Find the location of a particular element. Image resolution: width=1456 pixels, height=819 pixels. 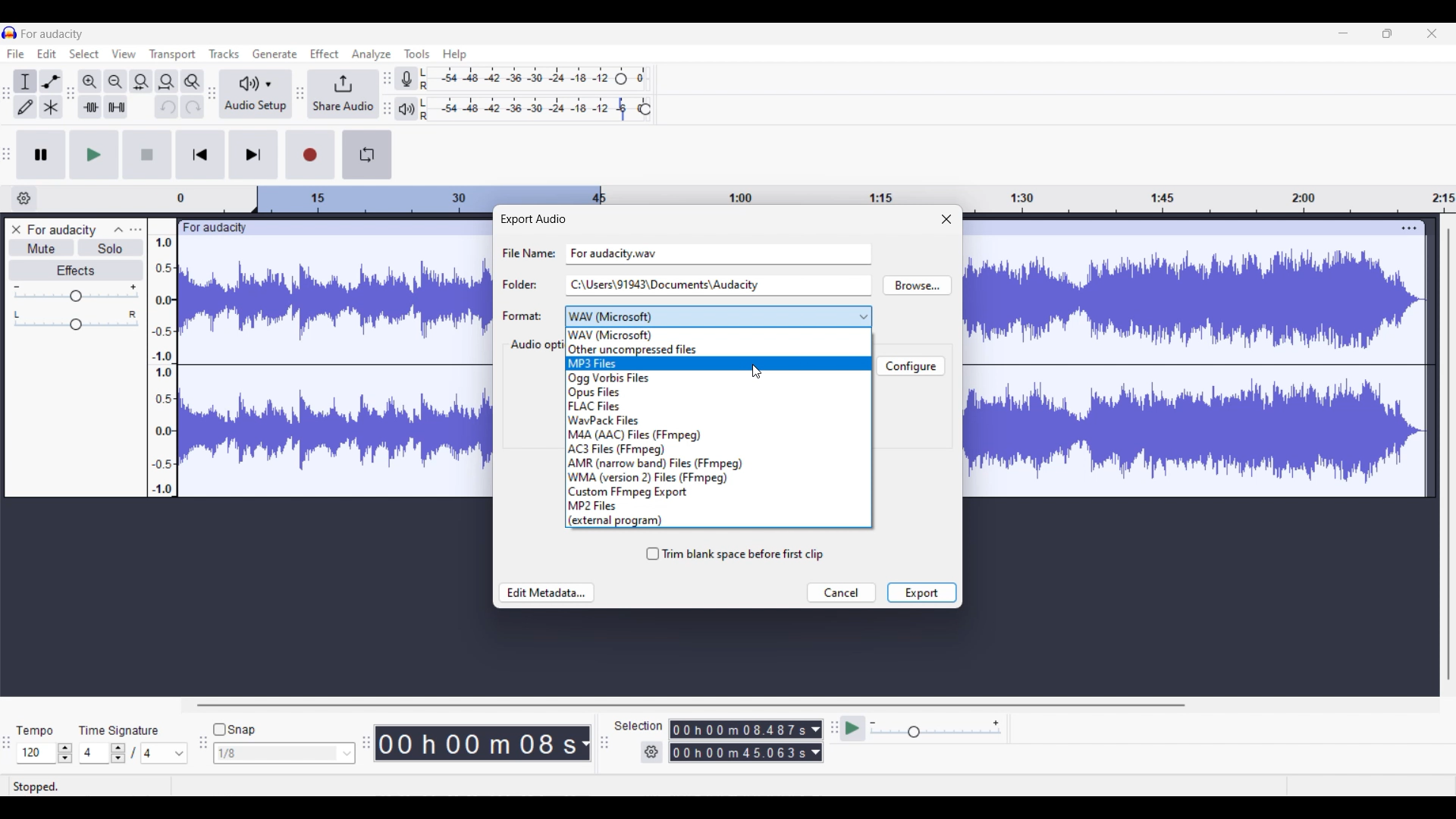

Selection duration measurement is located at coordinates (739, 752).